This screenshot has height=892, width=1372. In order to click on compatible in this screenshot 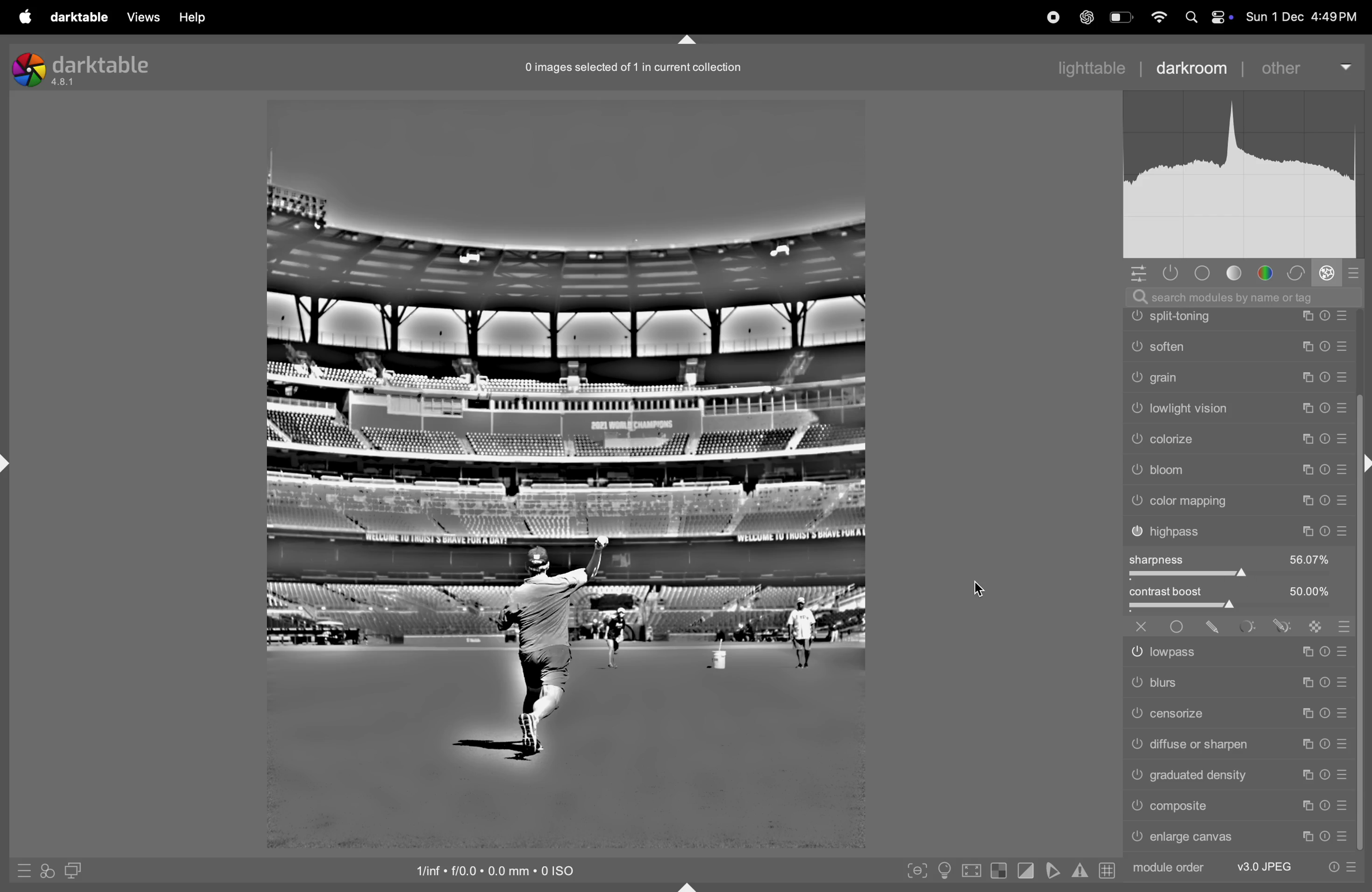, I will do `click(1238, 807)`.